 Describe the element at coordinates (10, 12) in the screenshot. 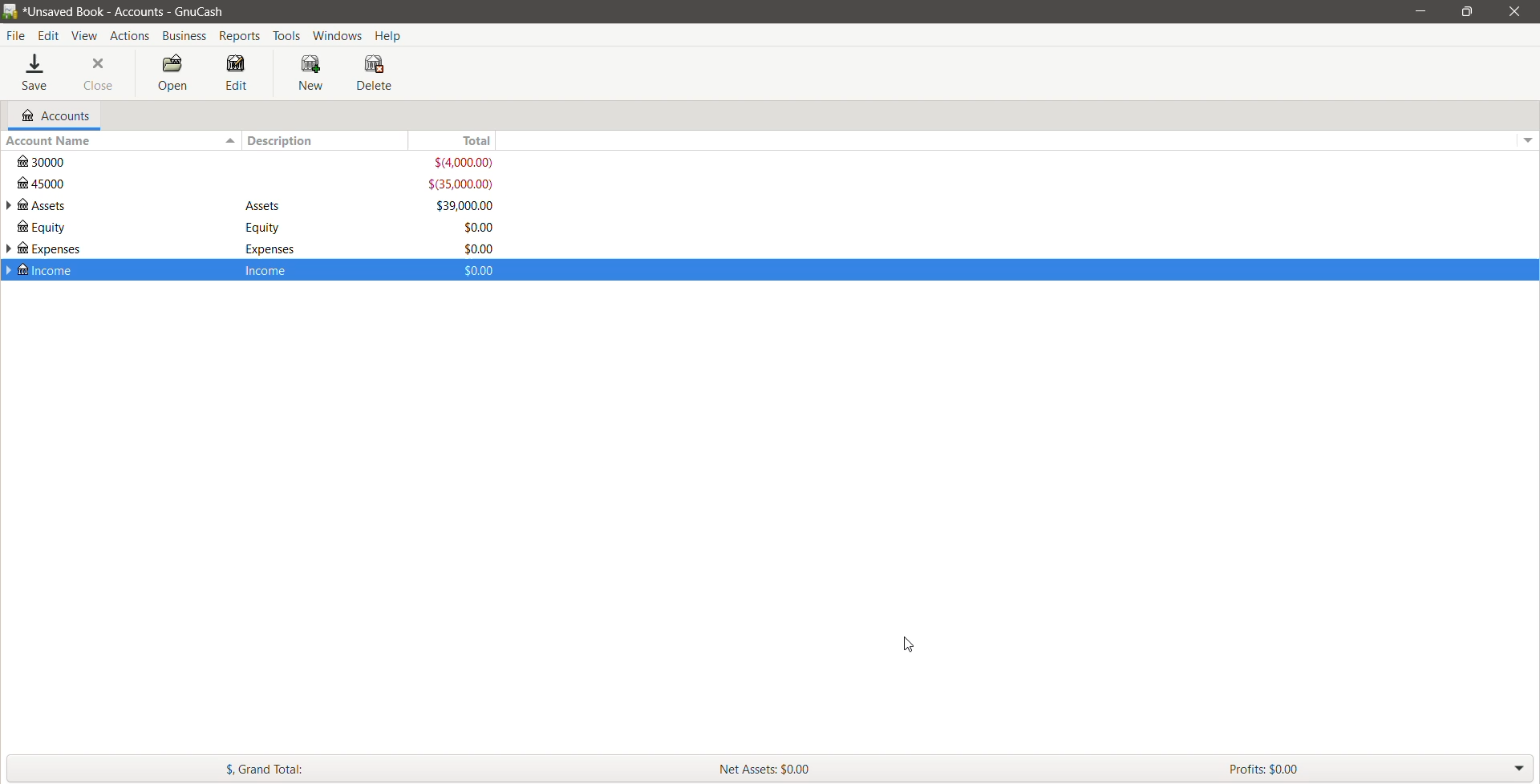

I see `Application Logo` at that location.